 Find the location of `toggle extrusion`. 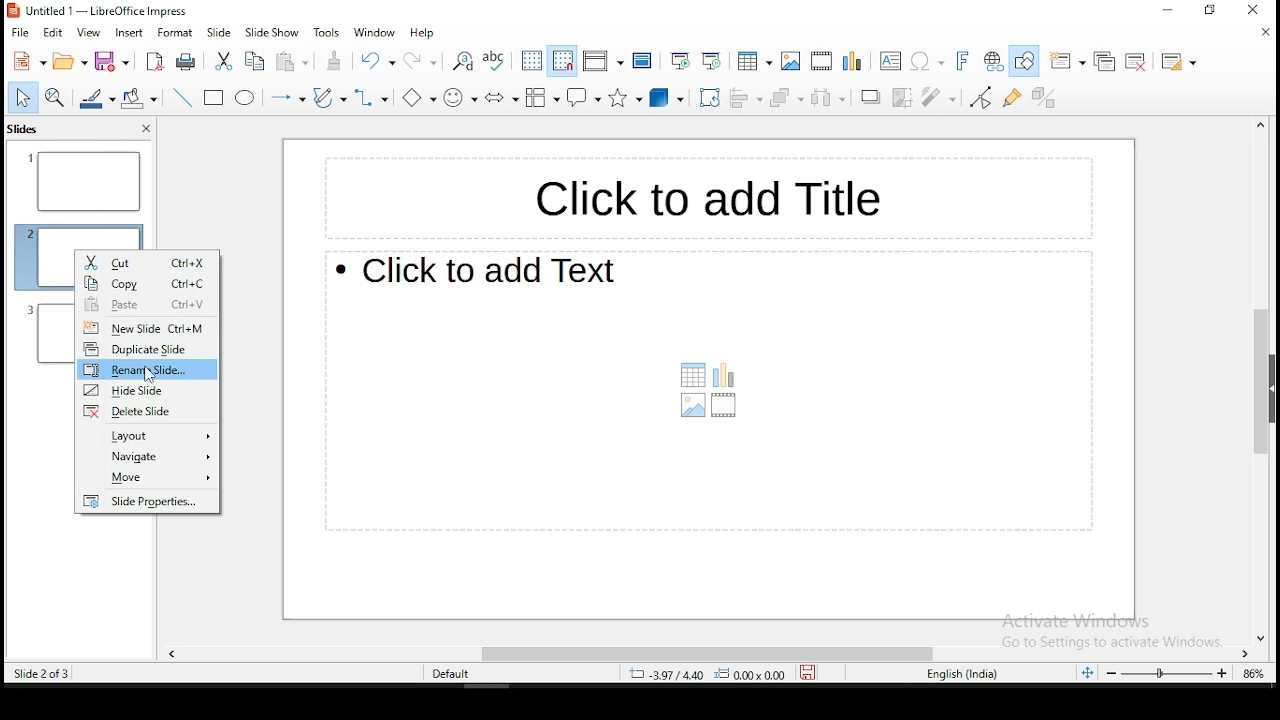

toggle extrusion is located at coordinates (1043, 100).